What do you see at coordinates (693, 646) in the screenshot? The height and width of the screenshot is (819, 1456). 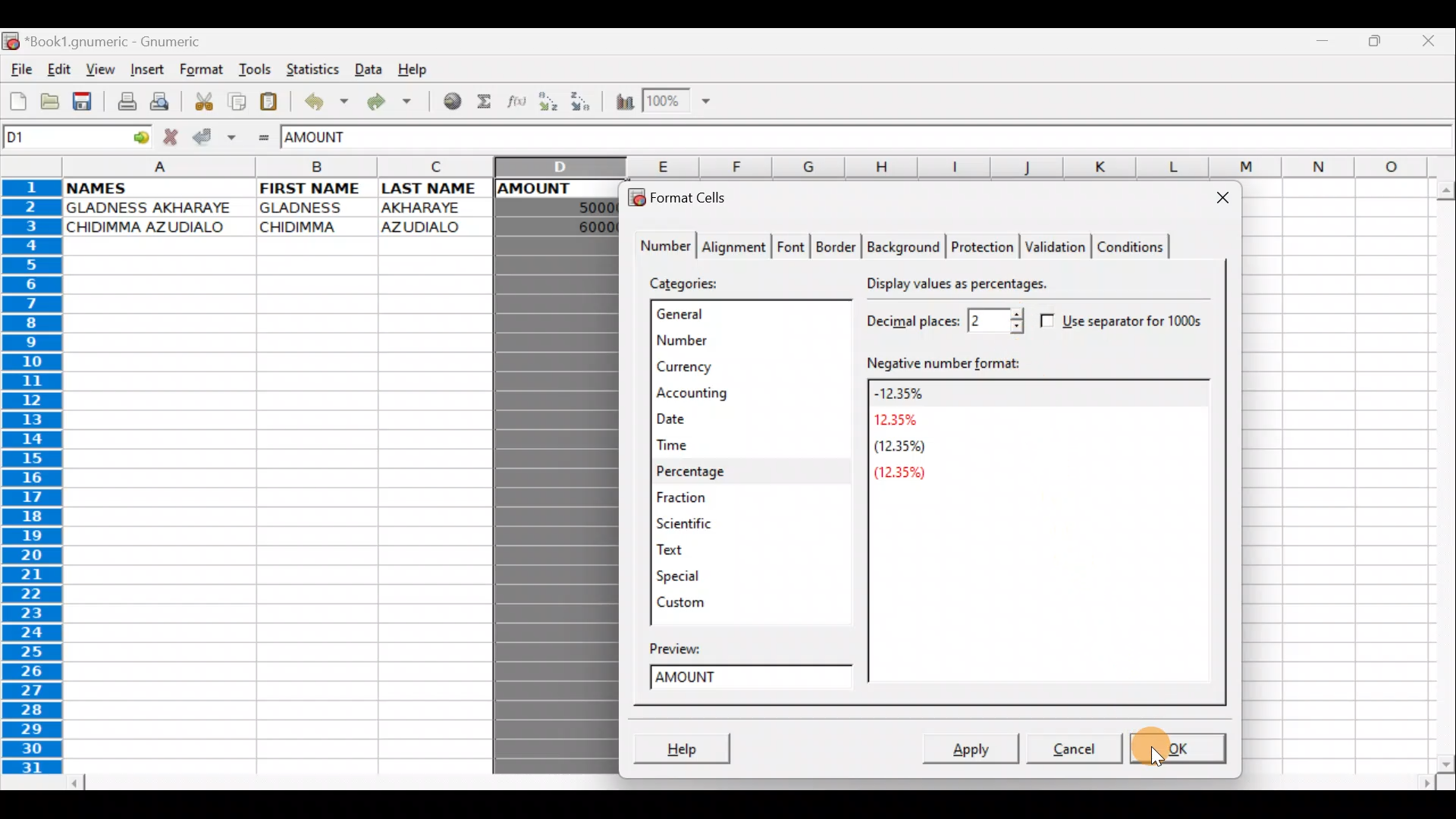 I see `Preview` at bounding box center [693, 646].